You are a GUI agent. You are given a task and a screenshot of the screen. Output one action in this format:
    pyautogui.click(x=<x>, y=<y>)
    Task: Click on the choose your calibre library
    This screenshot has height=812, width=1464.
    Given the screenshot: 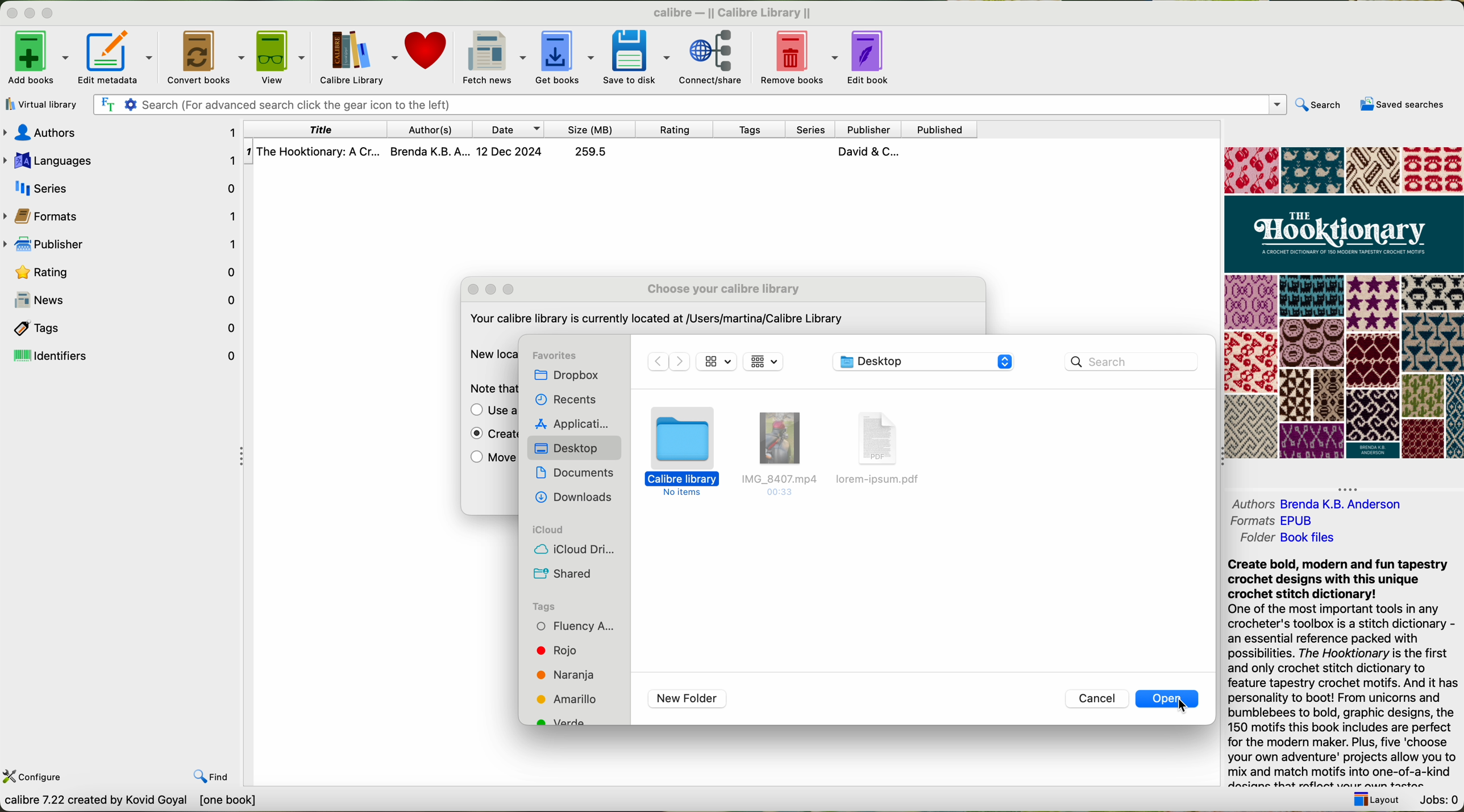 What is the action you would take?
    pyautogui.click(x=722, y=290)
    